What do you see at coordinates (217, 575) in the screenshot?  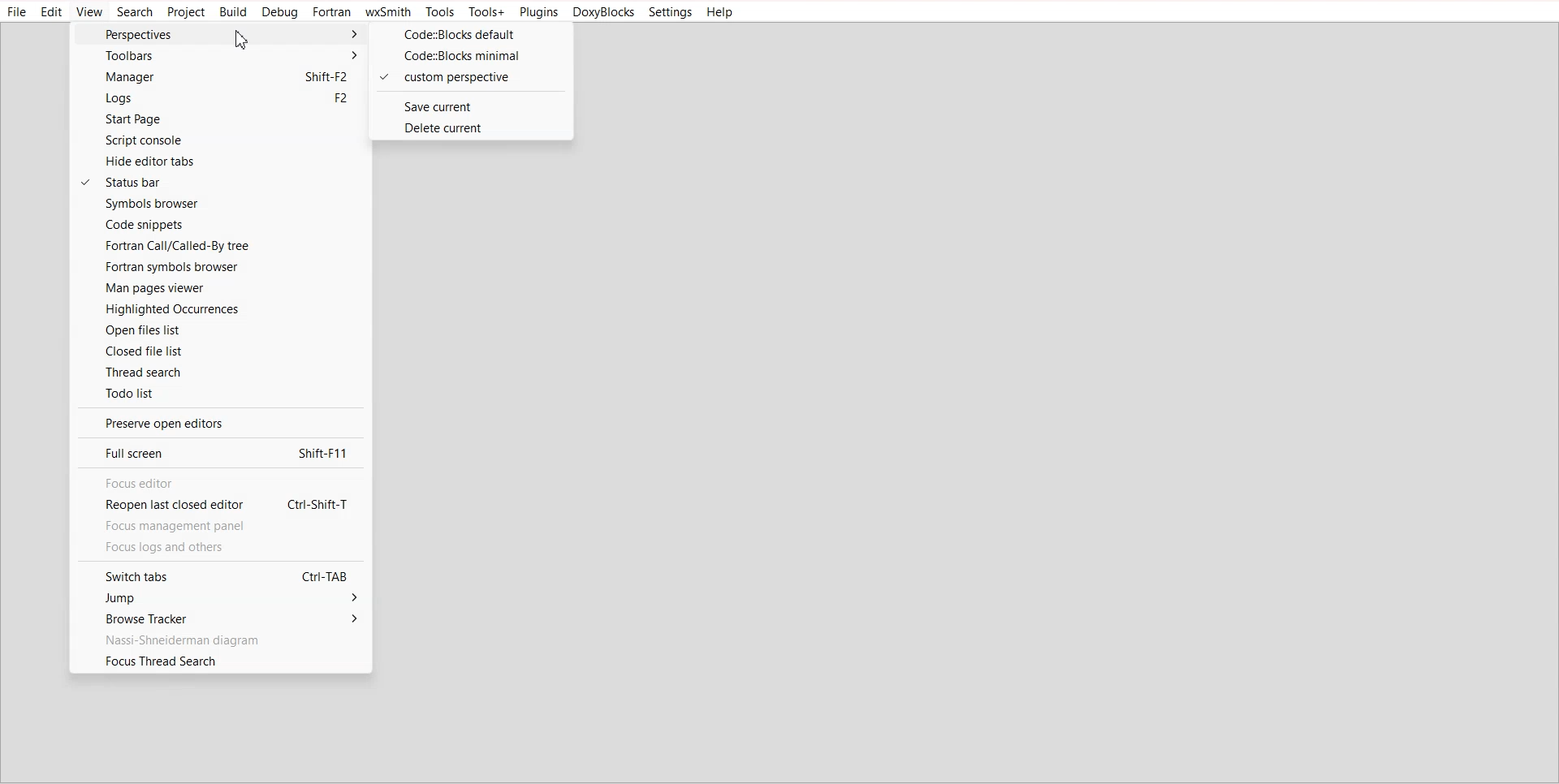 I see `Switch tabs` at bounding box center [217, 575].